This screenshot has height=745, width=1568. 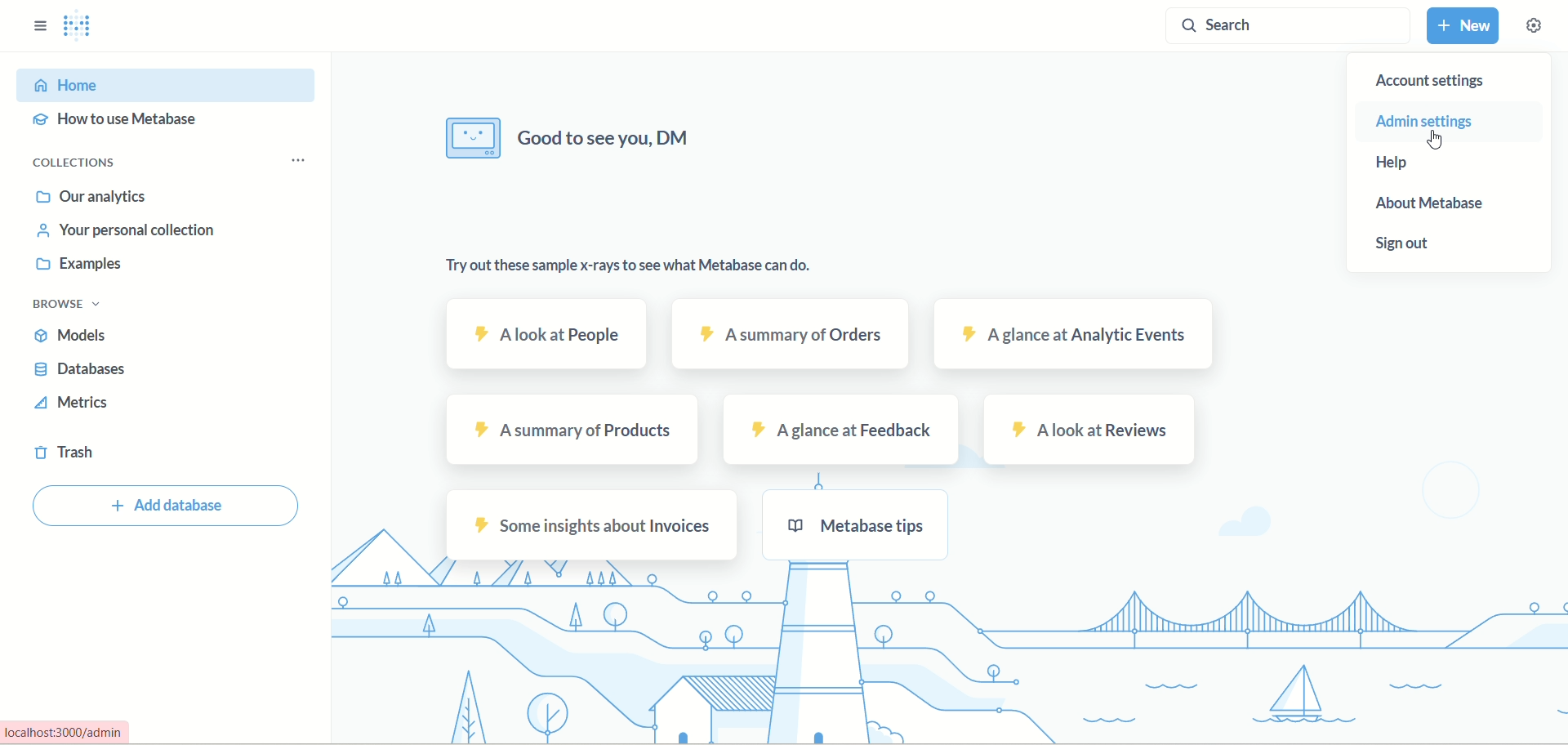 What do you see at coordinates (550, 333) in the screenshot?
I see `people` at bounding box center [550, 333].